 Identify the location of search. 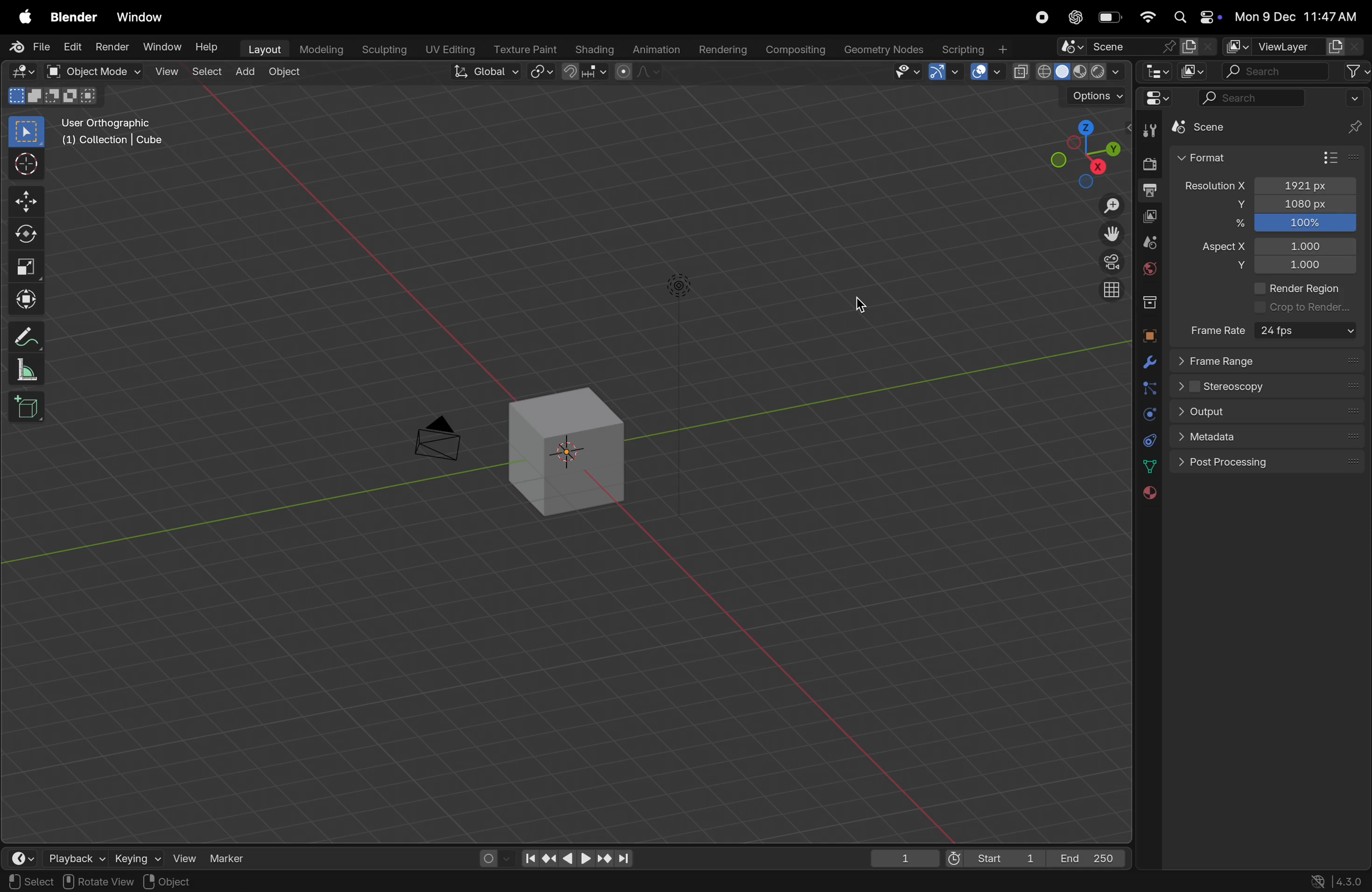
(1276, 71).